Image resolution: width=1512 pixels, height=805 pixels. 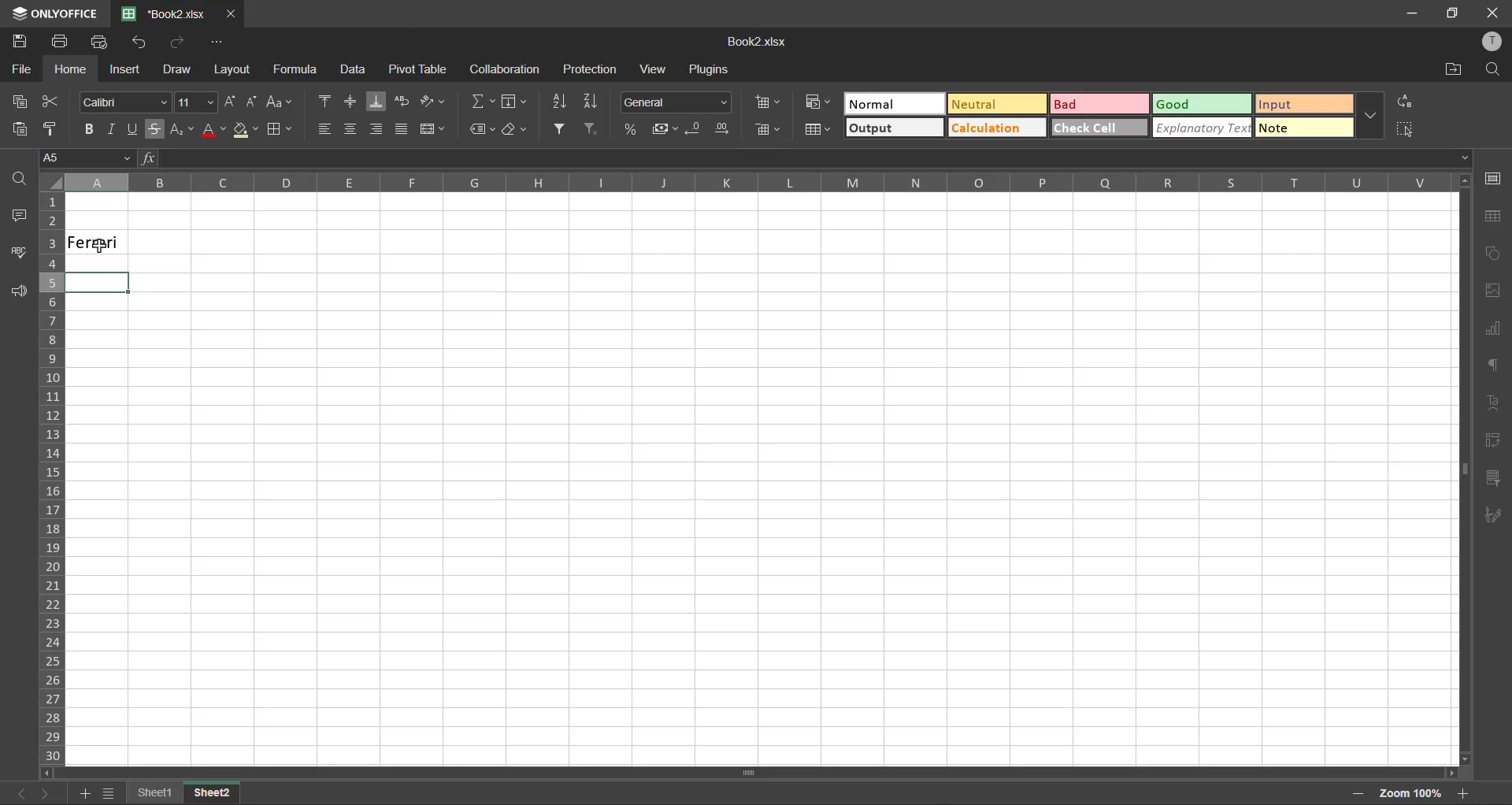 I want to click on formula, so click(x=298, y=72).